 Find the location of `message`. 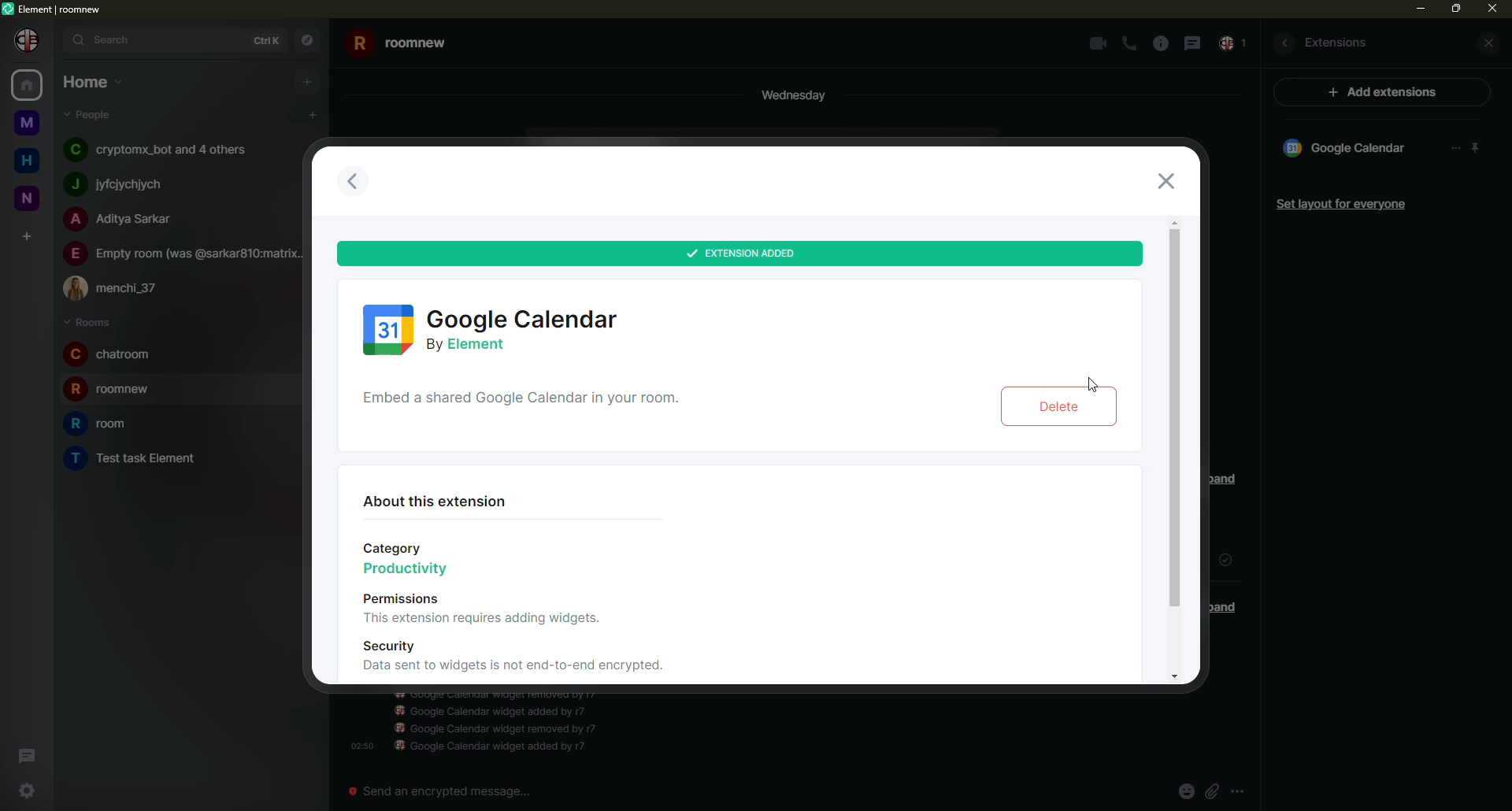

message is located at coordinates (1195, 44).